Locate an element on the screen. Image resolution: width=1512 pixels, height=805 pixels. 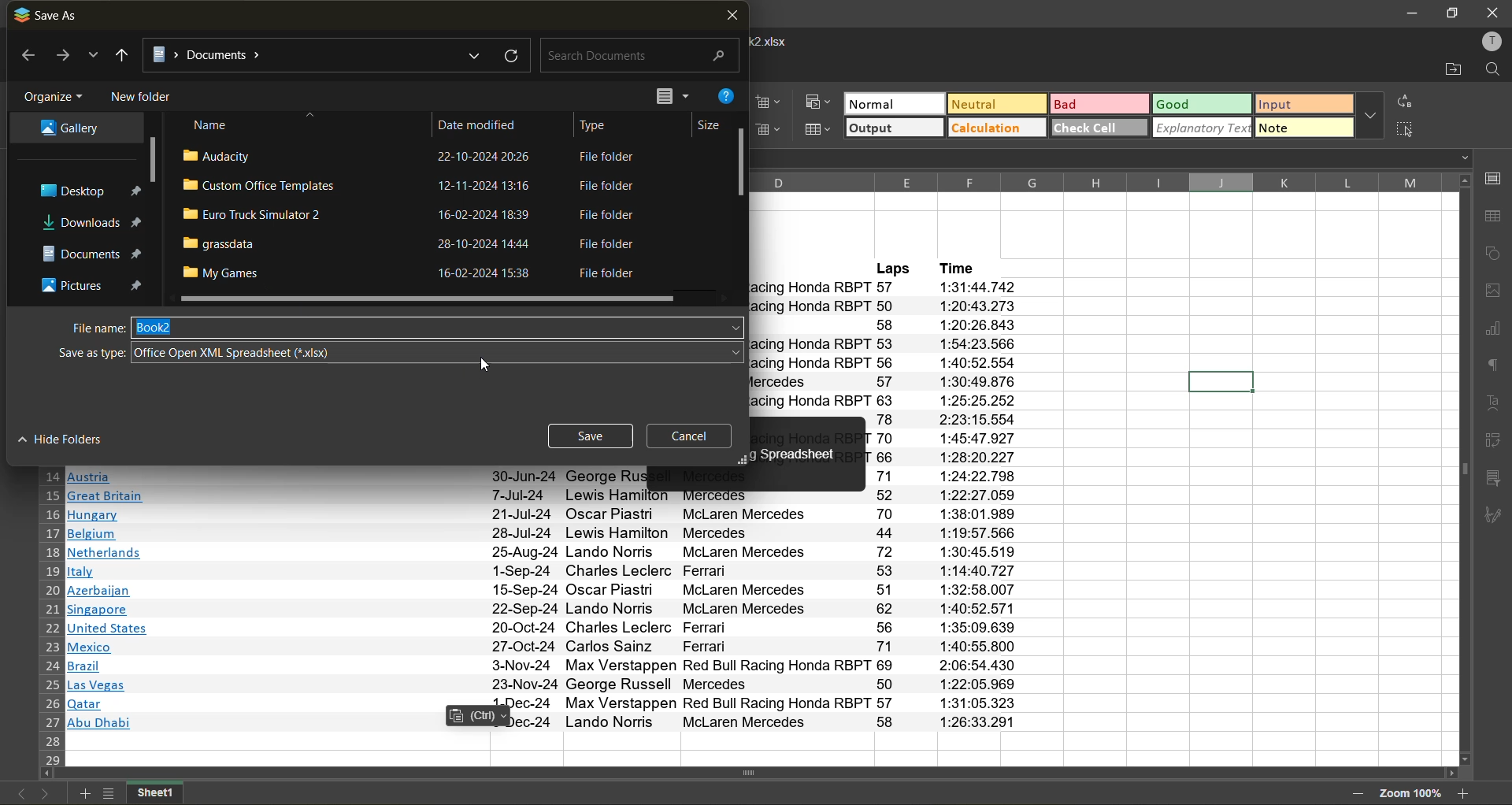
file is located at coordinates (413, 187).